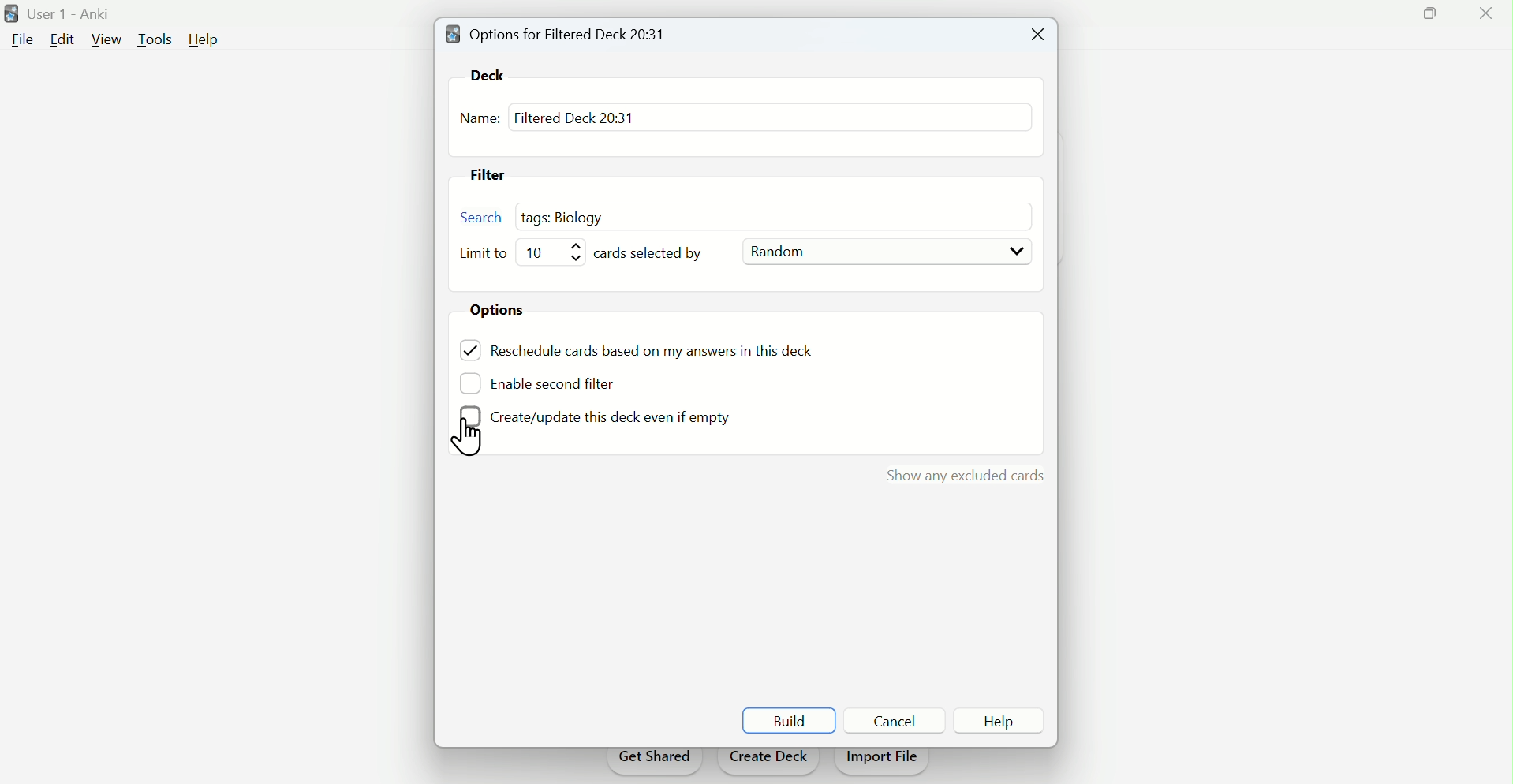  I want to click on Close tab, so click(1034, 35).